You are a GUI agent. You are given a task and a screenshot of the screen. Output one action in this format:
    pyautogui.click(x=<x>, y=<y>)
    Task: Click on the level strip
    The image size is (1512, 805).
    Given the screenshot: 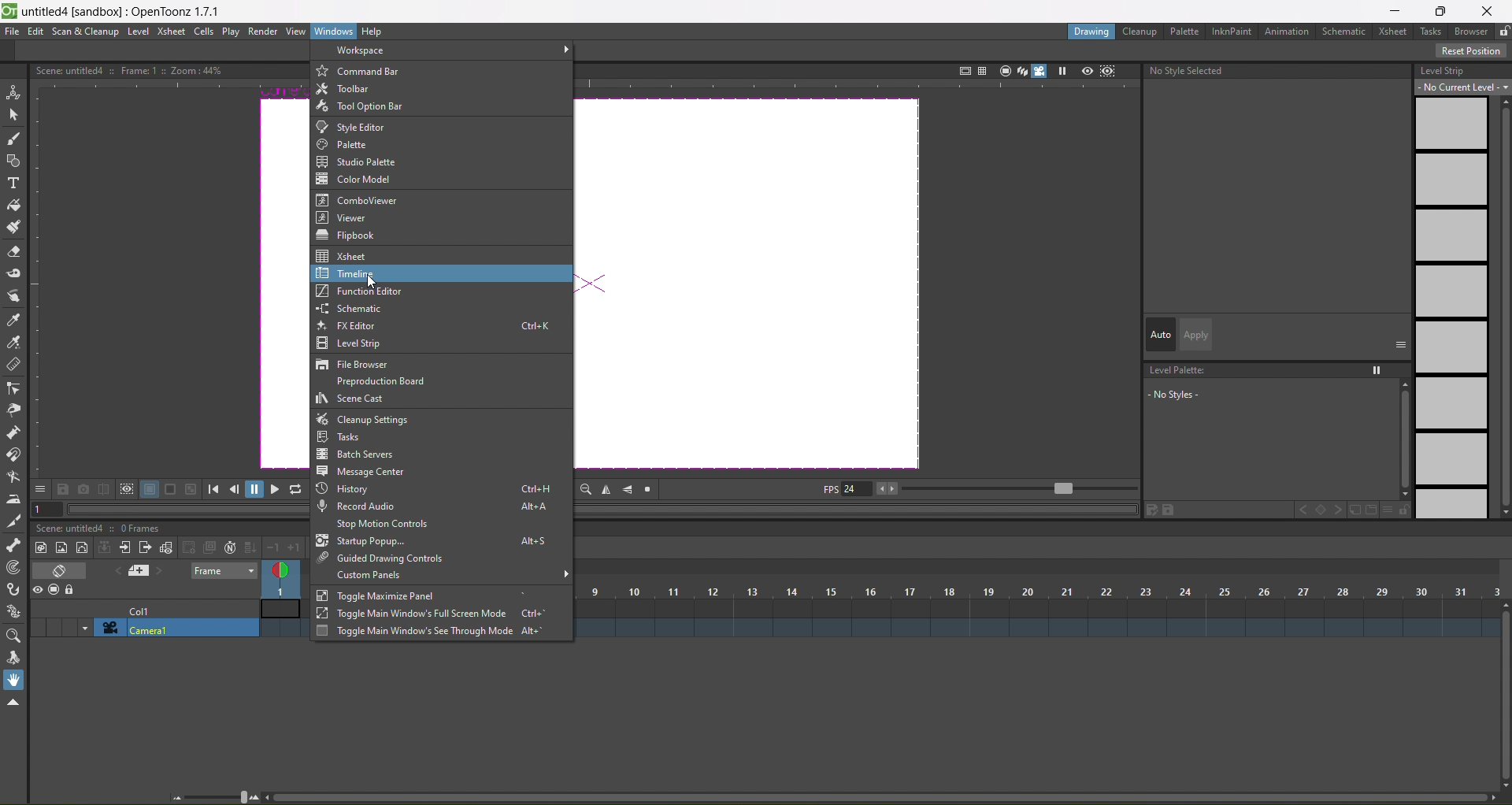 What is the action you would take?
    pyautogui.click(x=355, y=344)
    